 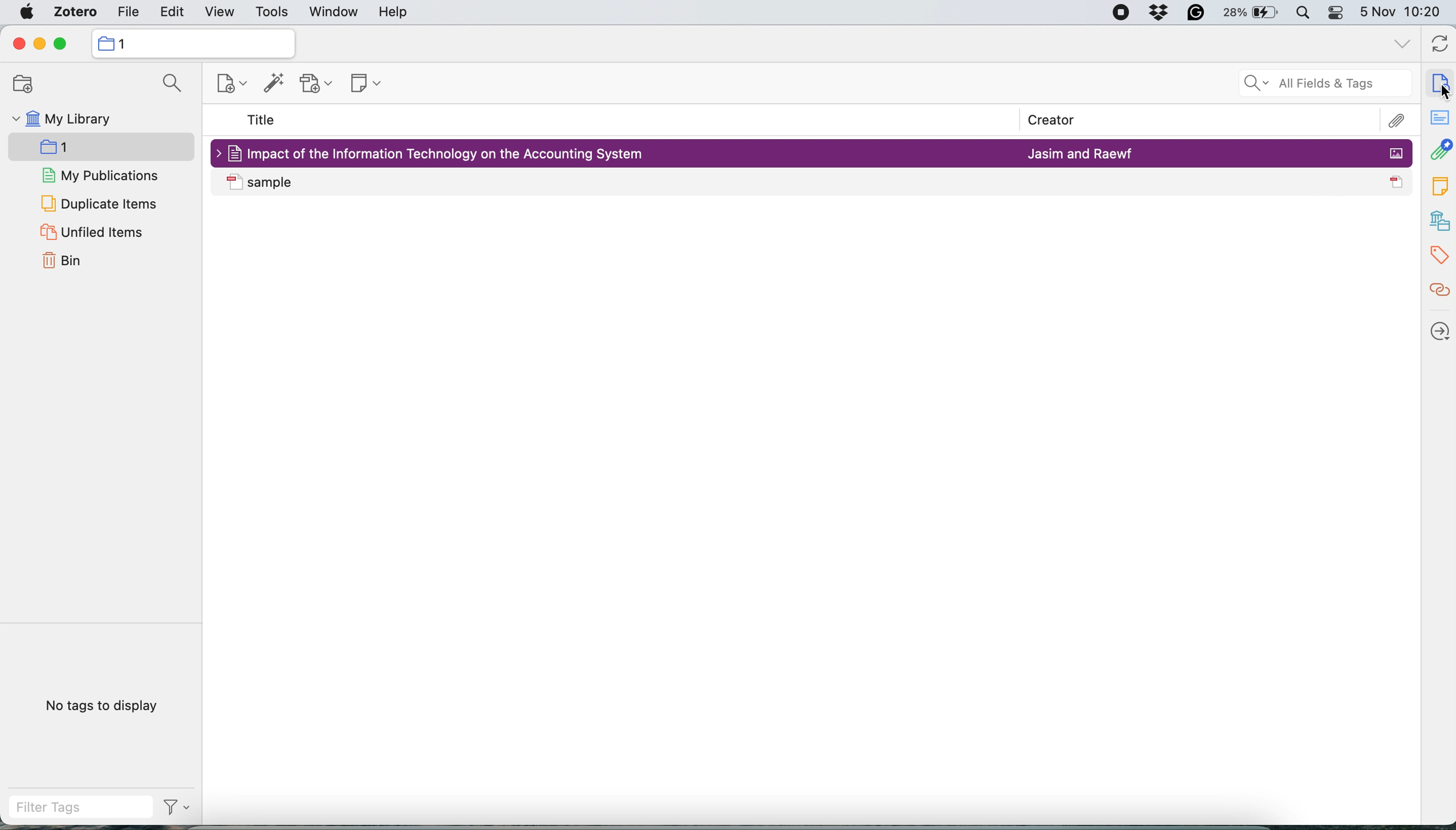 I want to click on refresh, so click(x=1439, y=46).